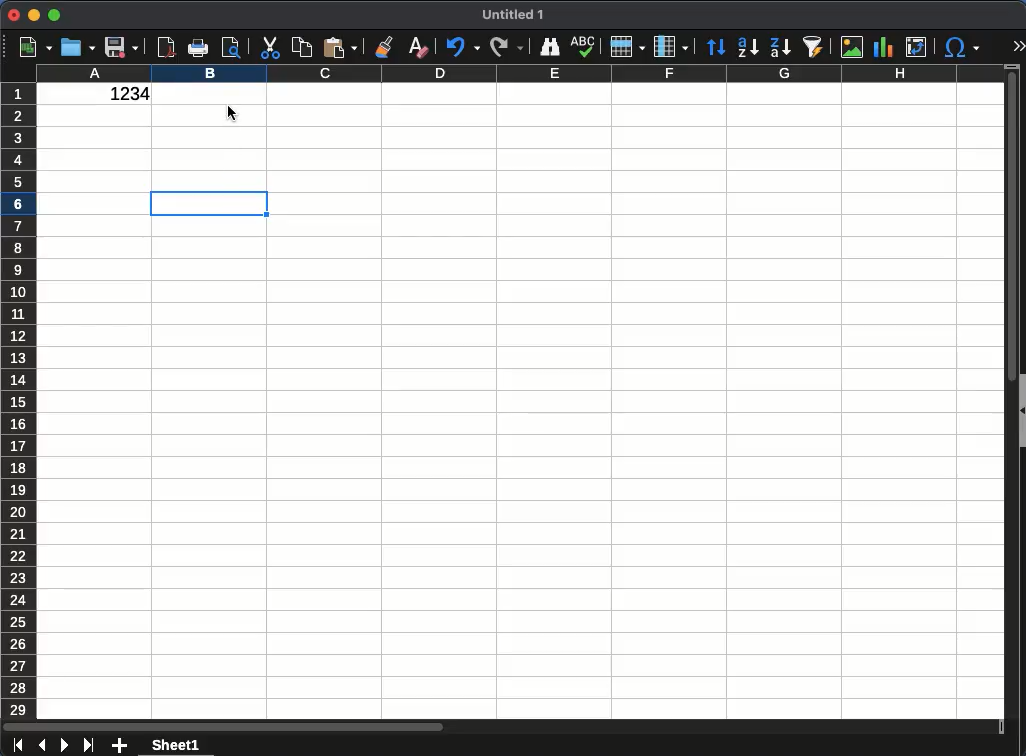 The width and height of the screenshot is (1026, 756). Describe the element at coordinates (167, 45) in the screenshot. I see `pdf viewer` at that location.